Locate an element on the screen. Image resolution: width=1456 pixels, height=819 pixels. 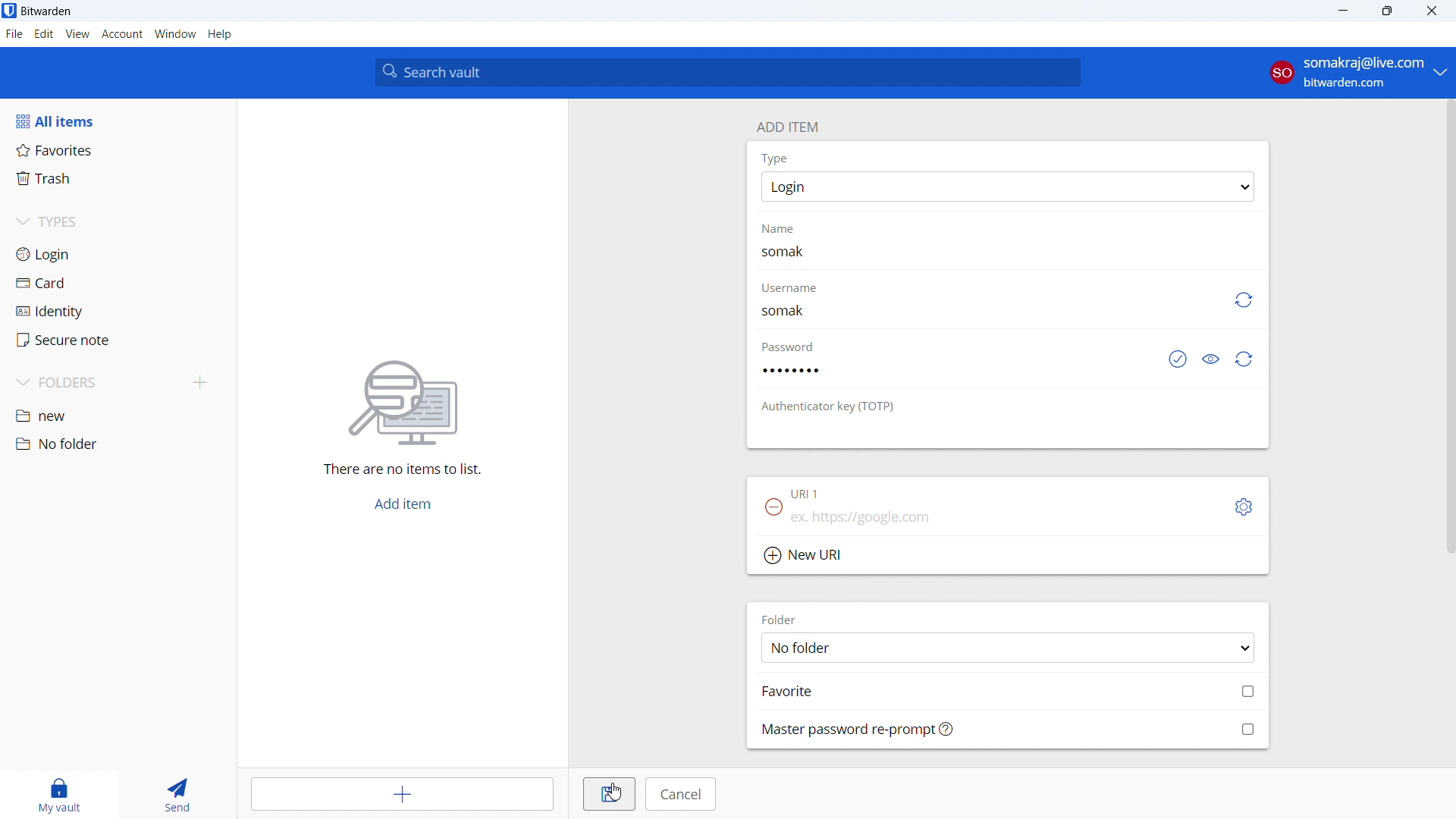
favorites is located at coordinates (118, 149).